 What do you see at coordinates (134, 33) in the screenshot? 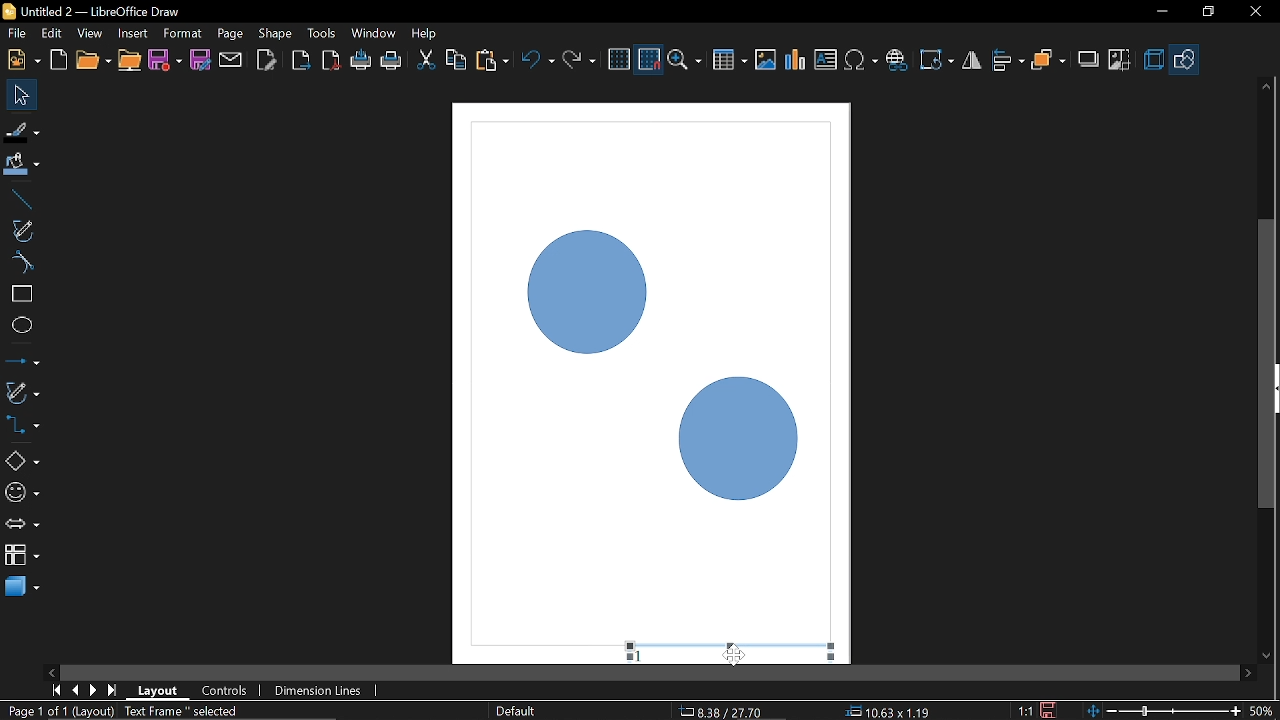
I see `Insert` at bounding box center [134, 33].